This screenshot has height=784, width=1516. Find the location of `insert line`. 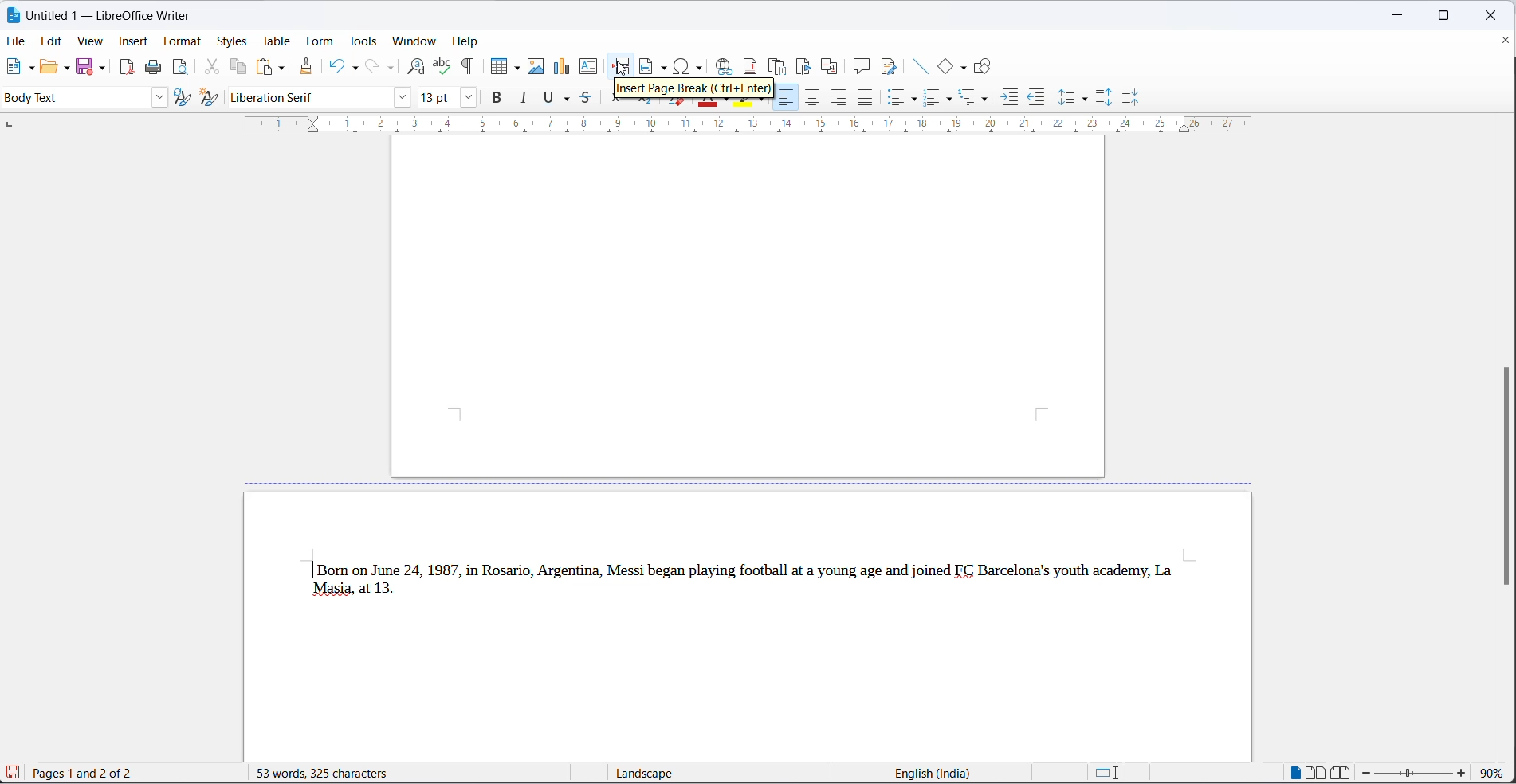

insert line is located at coordinates (921, 67).